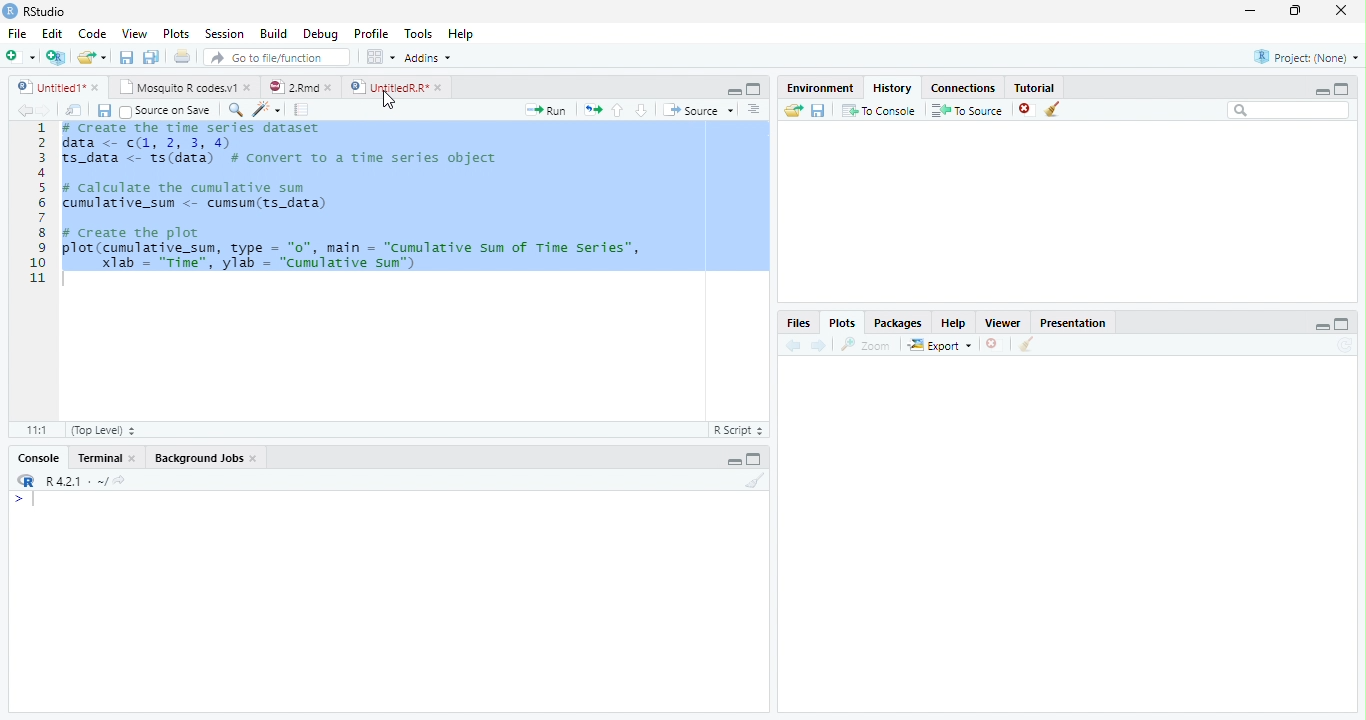 This screenshot has height=720, width=1366. What do you see at coordinates (58, 88) in the screenshot?
I see `Untitled` at bounding box center [58, 88].